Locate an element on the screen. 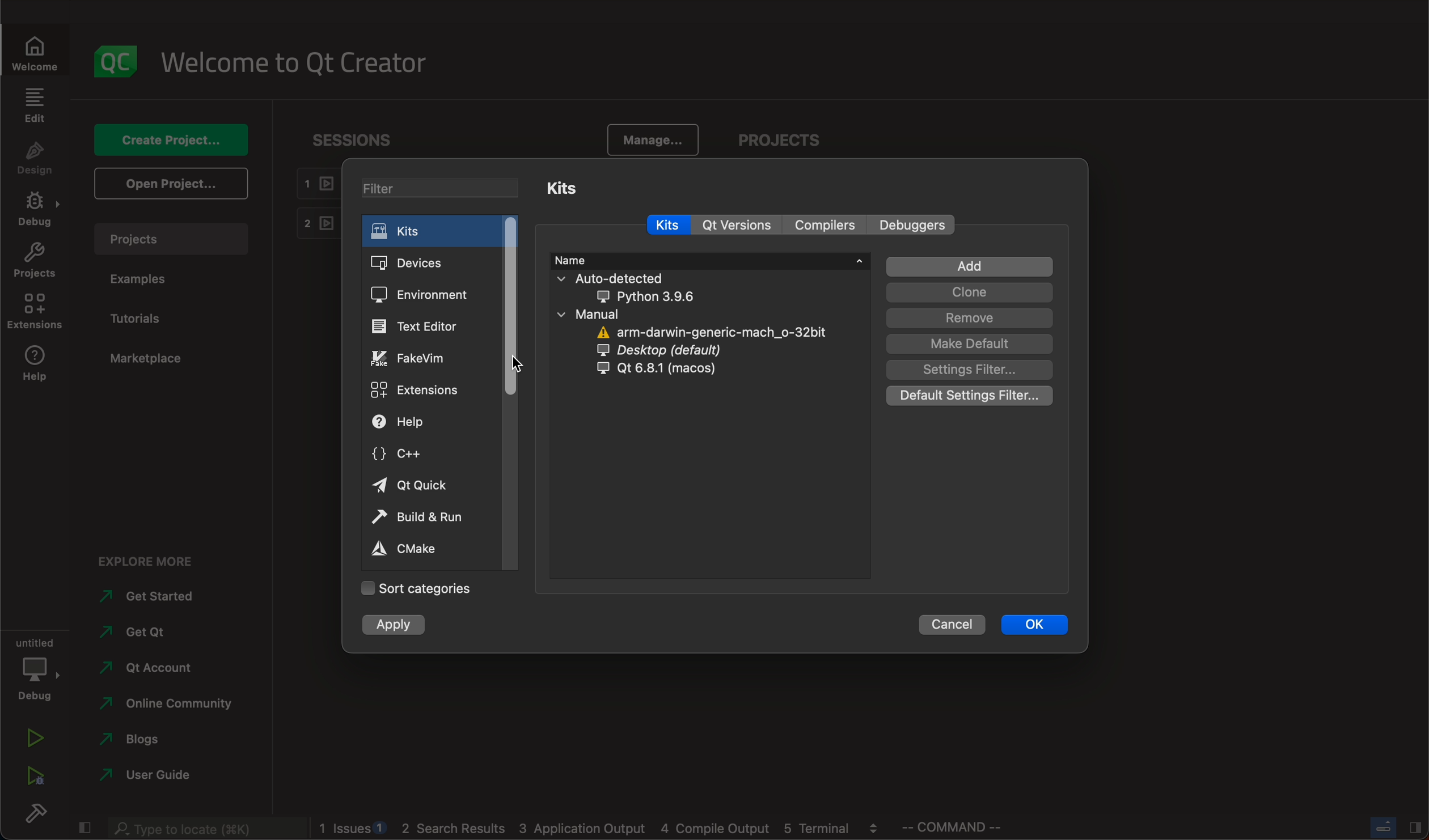 Image resolution: width=1429 pixels, height=840 pixels. editor is located at coordinates (425, 327).